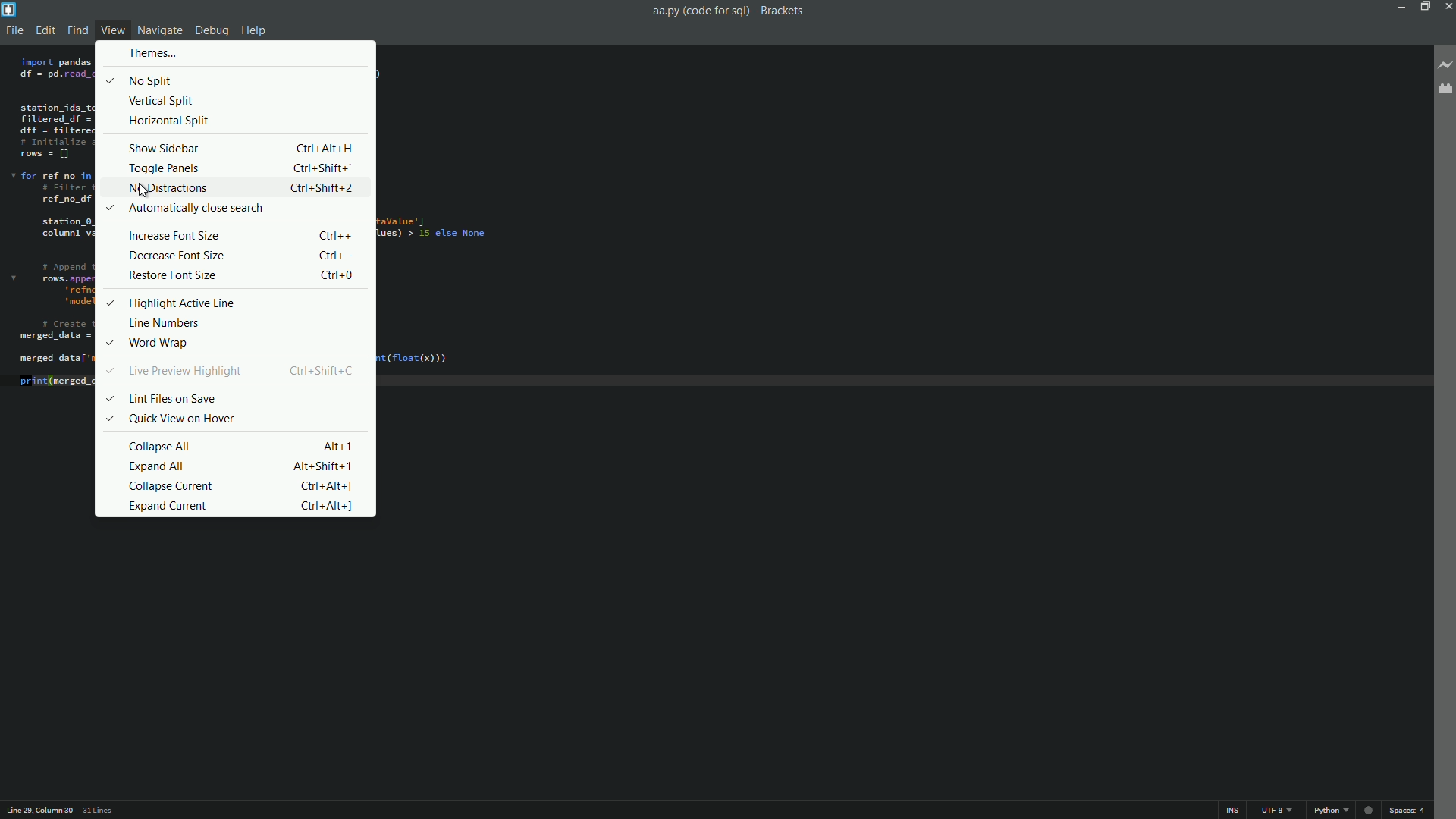 Image resolution: width=1456 pixels, height=819 pixels. Describe the element at coordinates (732, 10) in the screenshot. I see `aa.py (code for sql) - Brackets` at that location.